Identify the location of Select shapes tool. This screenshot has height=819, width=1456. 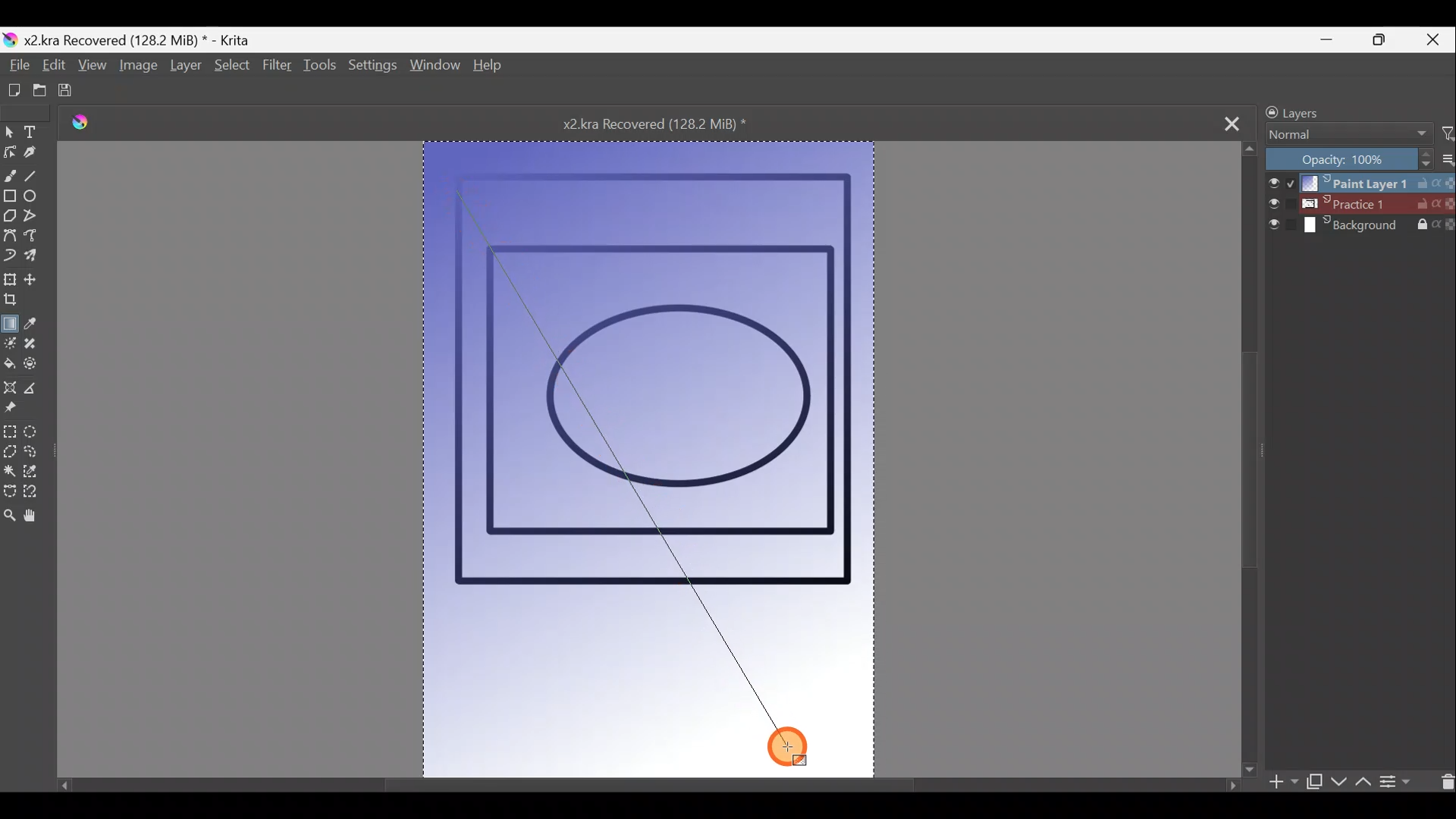
(9, 133).